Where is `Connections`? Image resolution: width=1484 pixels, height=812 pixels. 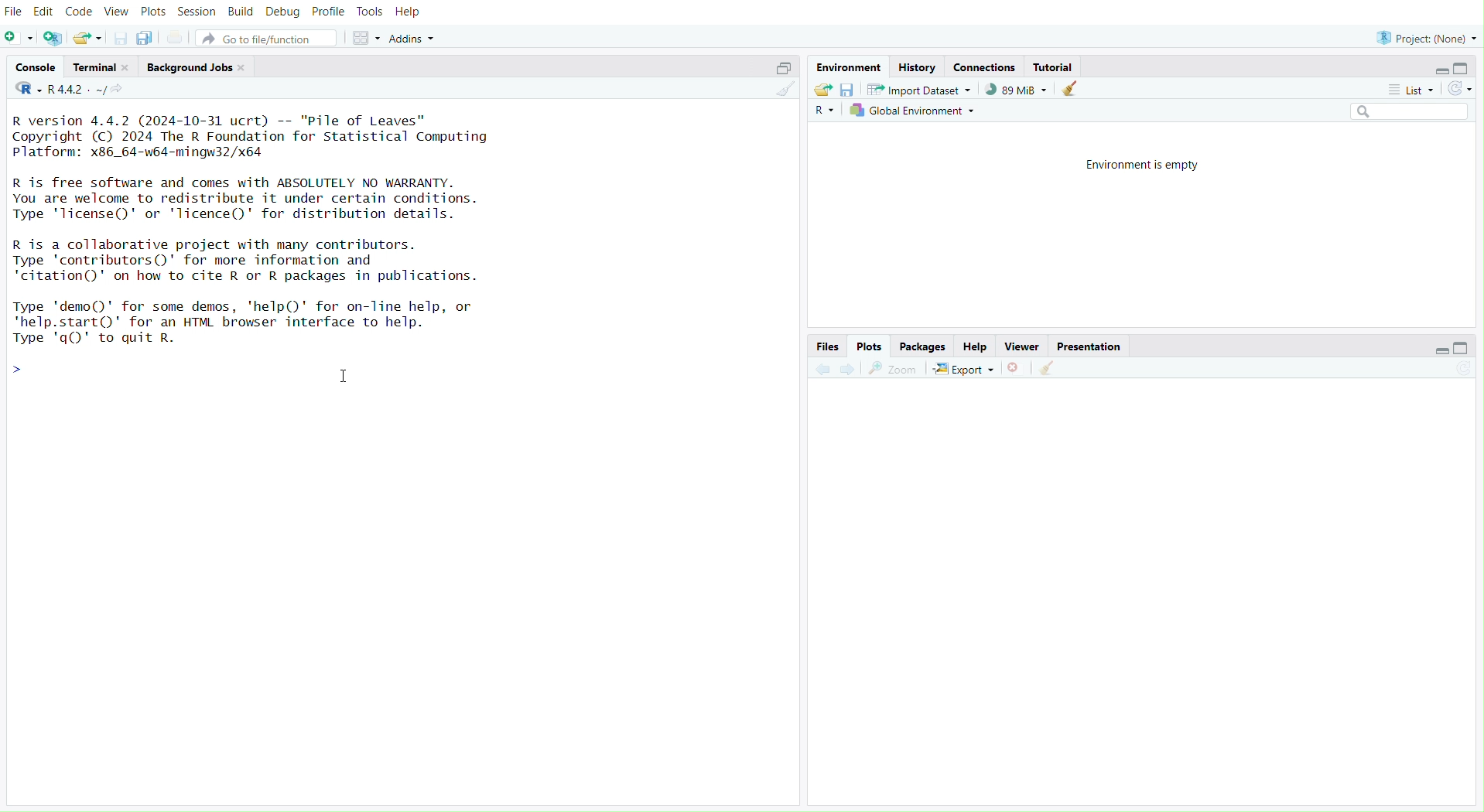
Connections is located at coordinates (987, 66).